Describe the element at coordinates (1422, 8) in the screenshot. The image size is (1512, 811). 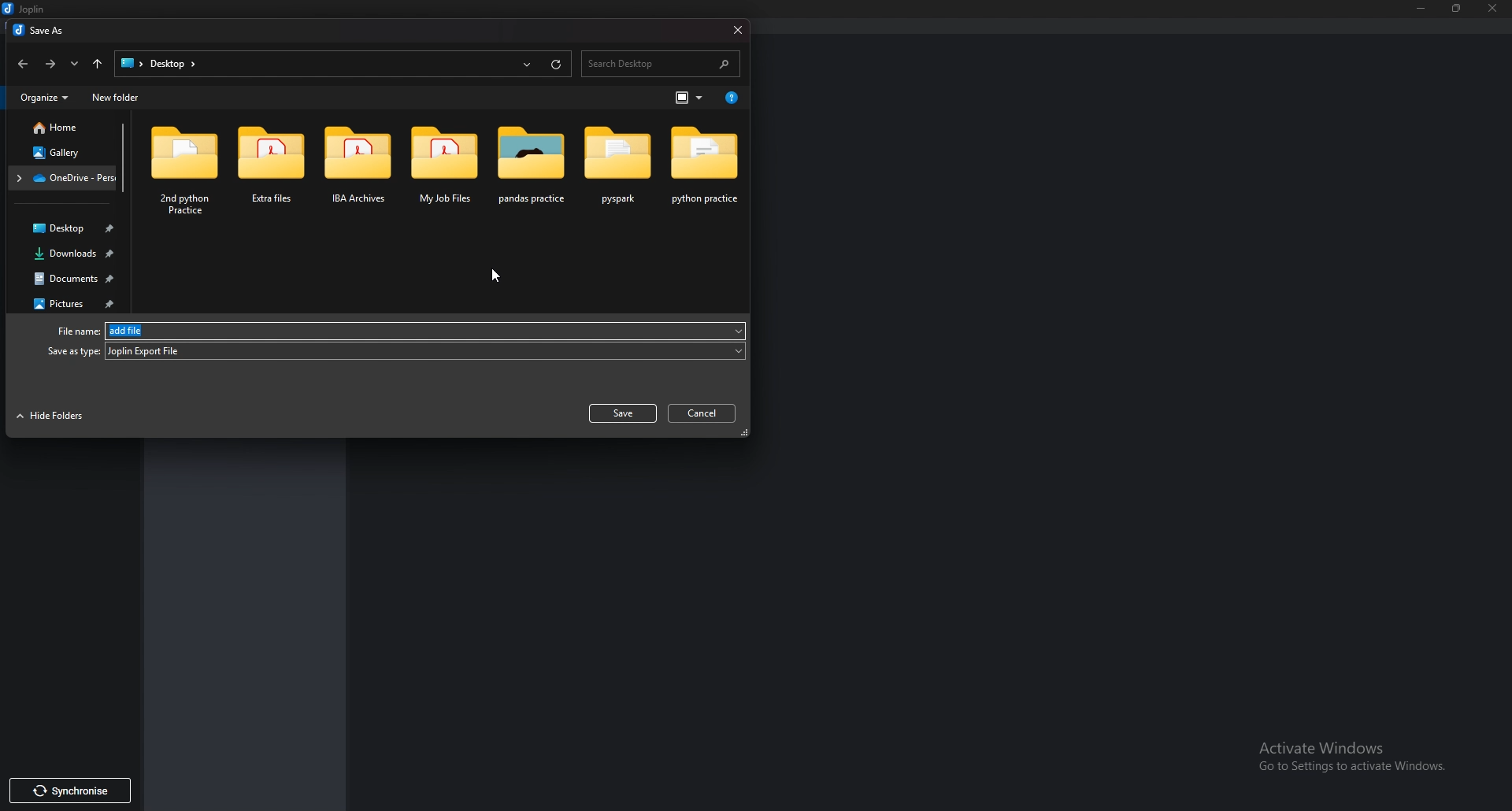
I see `Minimize` at that location.